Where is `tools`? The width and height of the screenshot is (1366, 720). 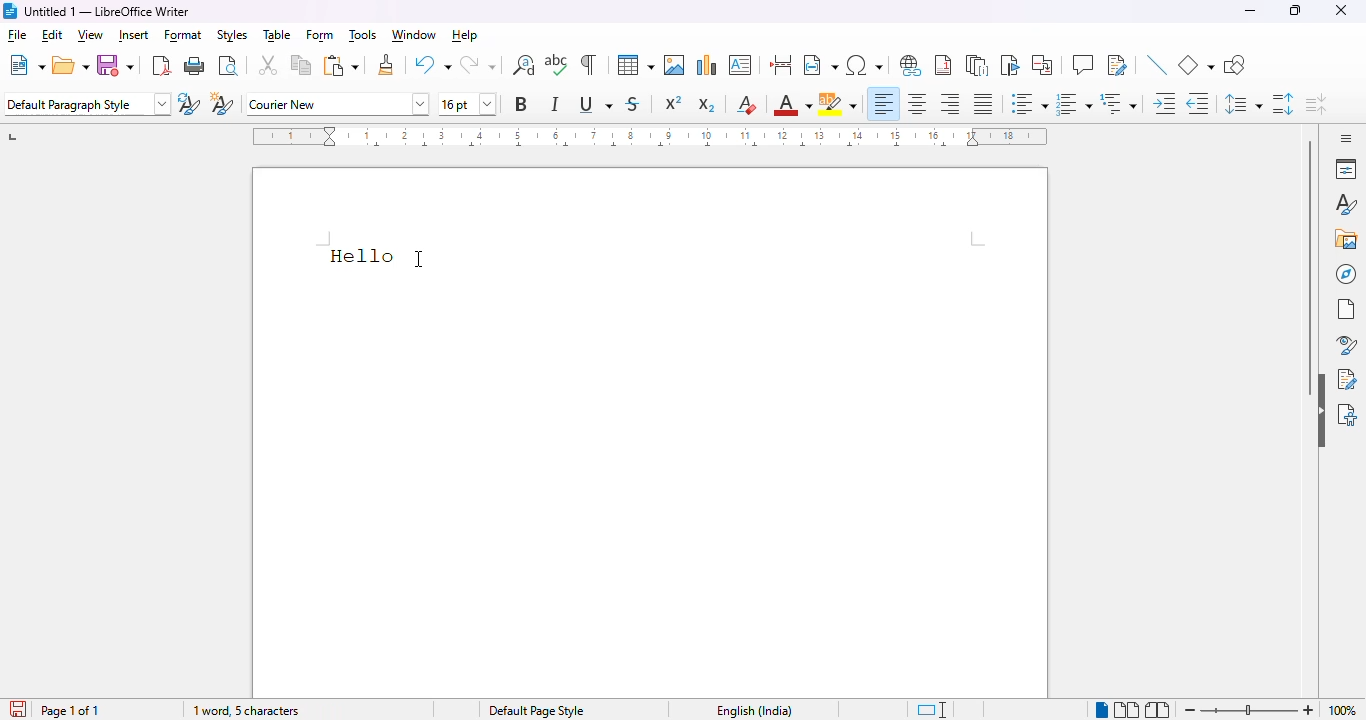
tools is located at coordinates (363, 36).